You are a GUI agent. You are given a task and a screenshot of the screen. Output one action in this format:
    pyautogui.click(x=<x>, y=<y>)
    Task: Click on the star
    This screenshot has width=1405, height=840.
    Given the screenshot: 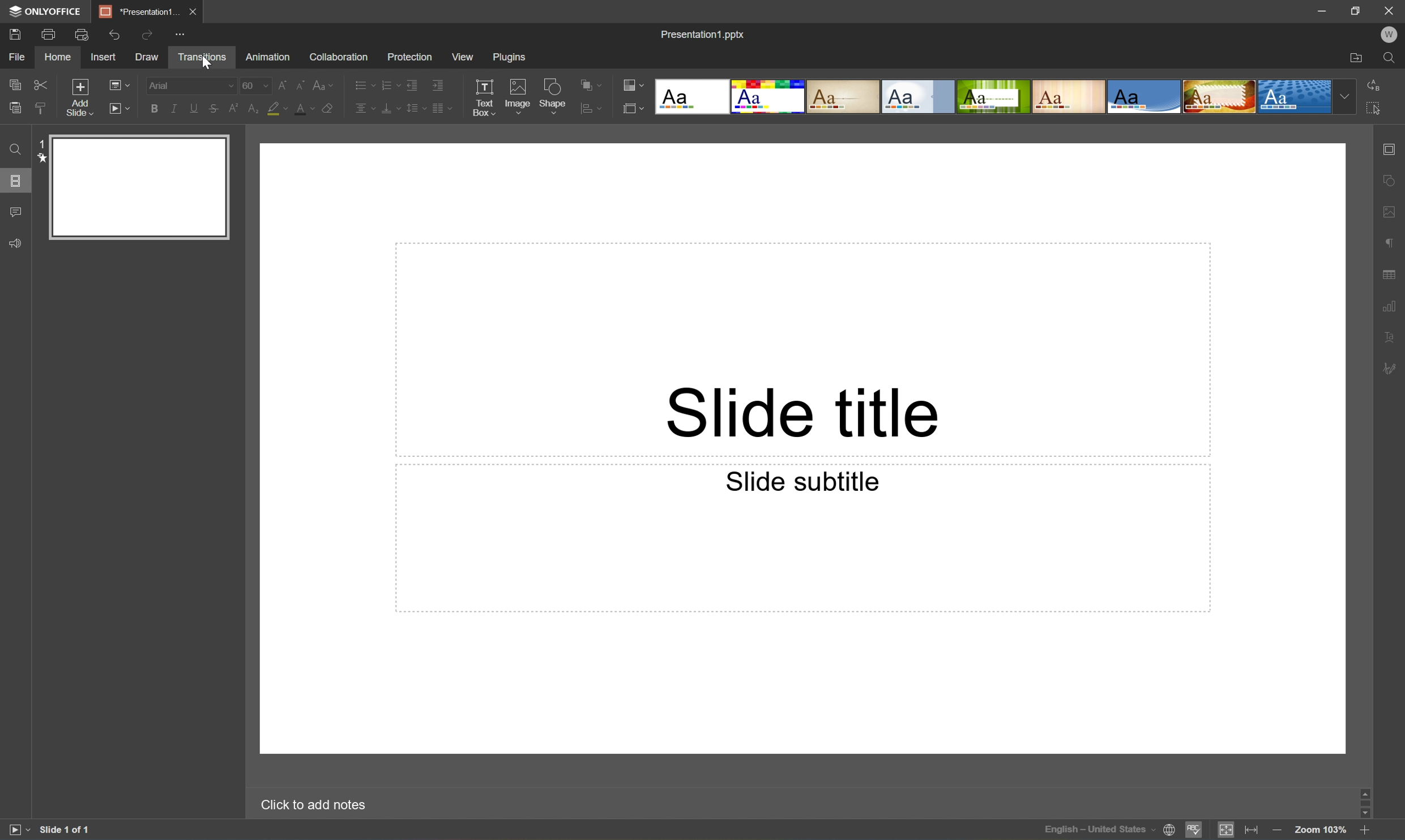 What is the action you would take?
    pyautogui.click(x=42, y=159)
    